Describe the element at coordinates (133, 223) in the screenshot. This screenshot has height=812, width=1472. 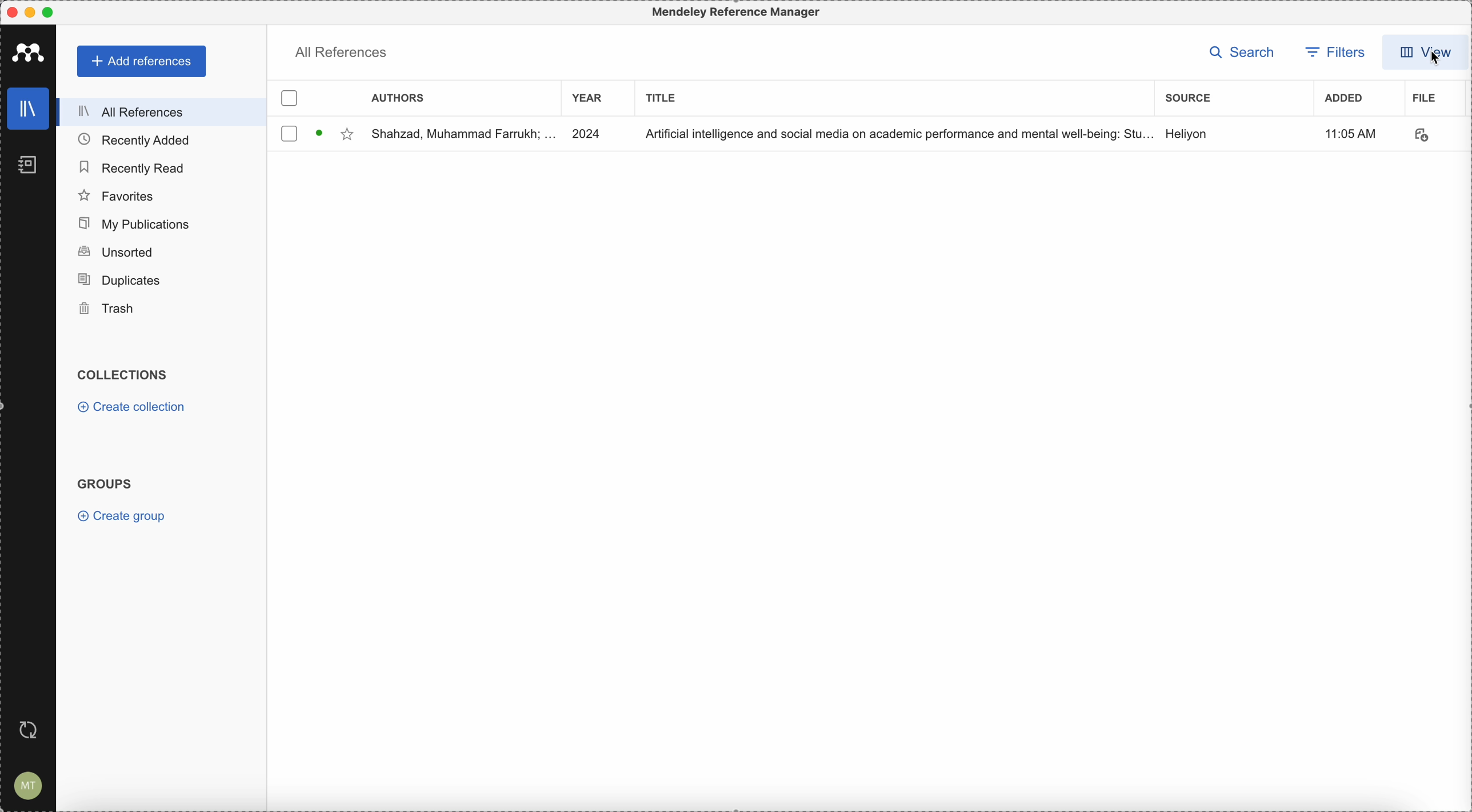
I see `my publications` at that location.